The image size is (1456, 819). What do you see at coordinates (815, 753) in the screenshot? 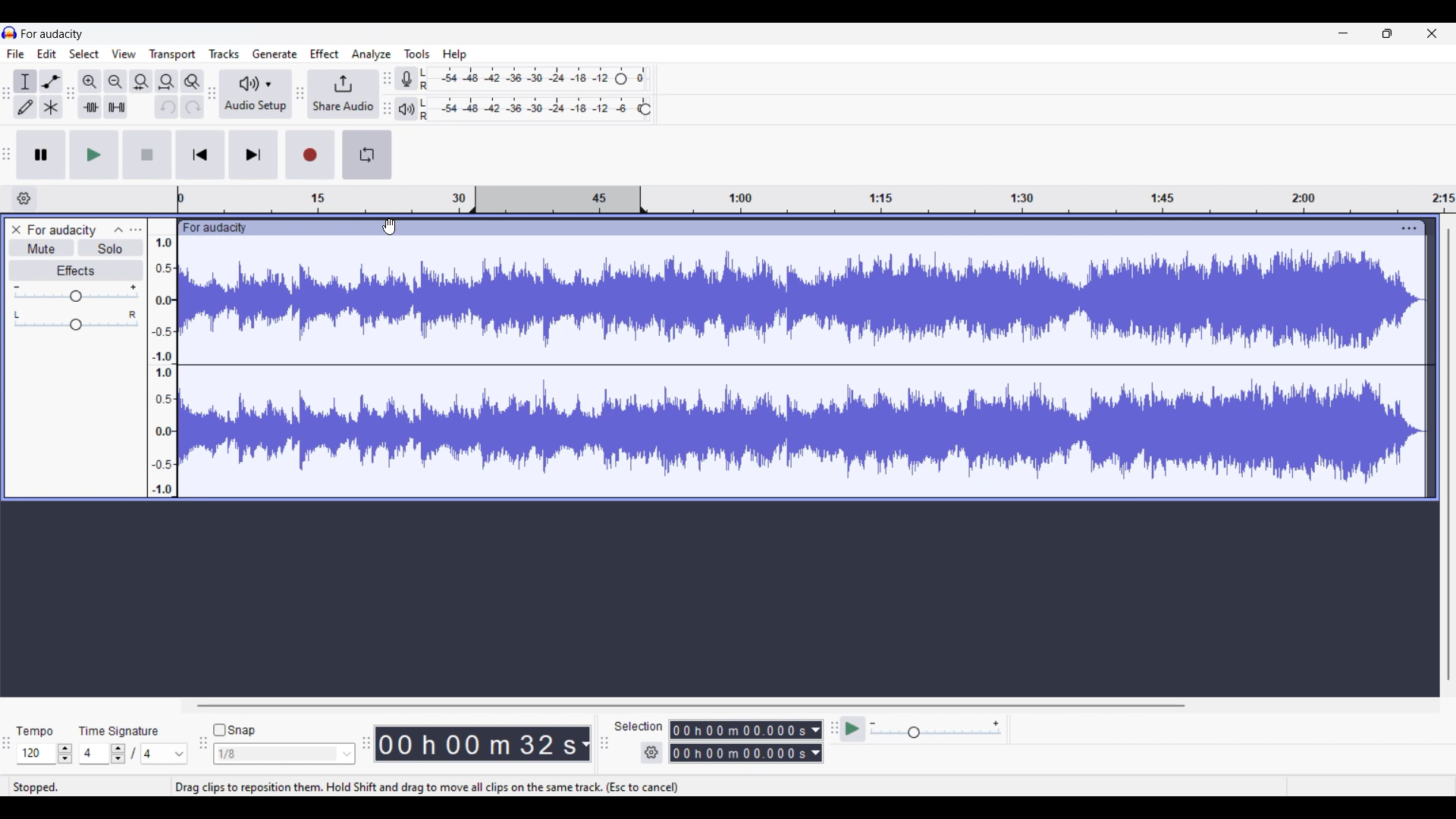
I see `Duration measurement` at bounding box center [815, 753].